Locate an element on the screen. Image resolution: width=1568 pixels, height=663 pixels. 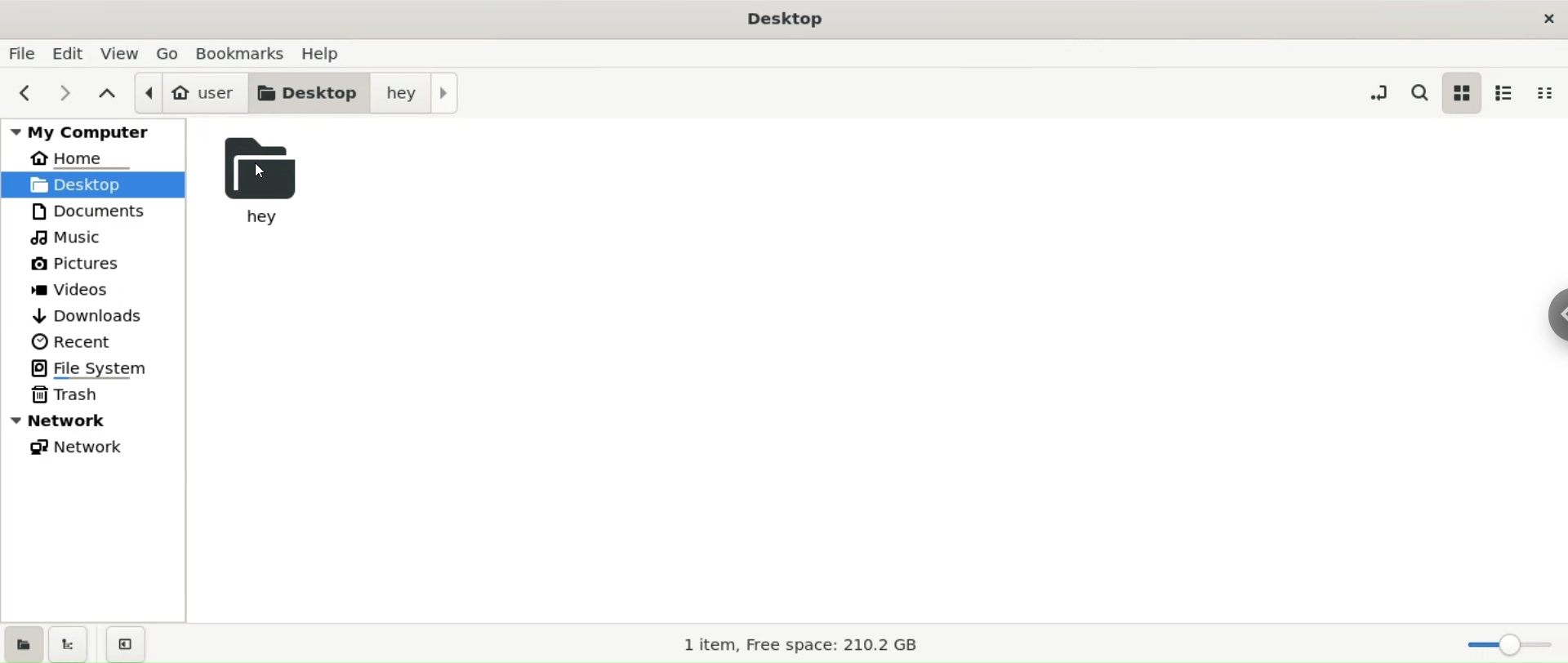
edit is located at coordinates (71, 54).